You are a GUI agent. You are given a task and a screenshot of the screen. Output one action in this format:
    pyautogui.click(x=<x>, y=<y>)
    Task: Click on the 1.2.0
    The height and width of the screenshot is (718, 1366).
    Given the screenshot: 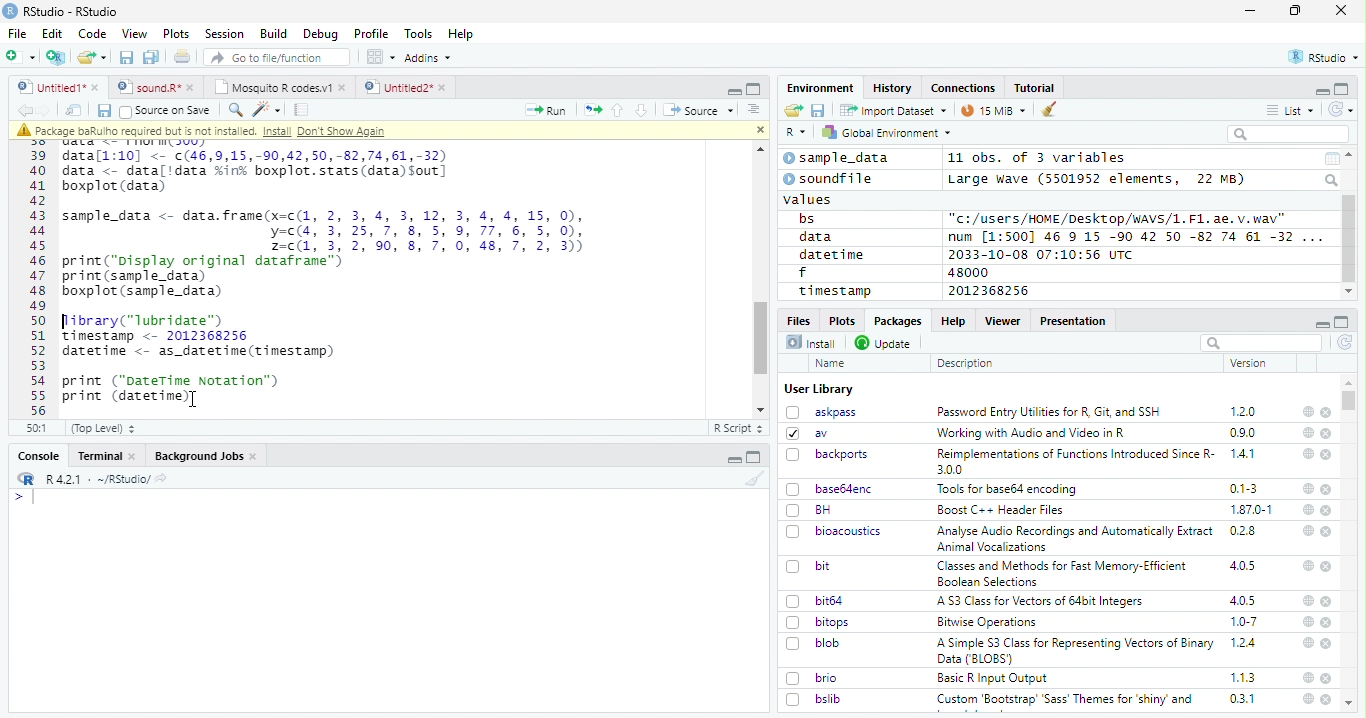 What is the action you would take?
    pyautogui.click(x=1245, y=411)
    